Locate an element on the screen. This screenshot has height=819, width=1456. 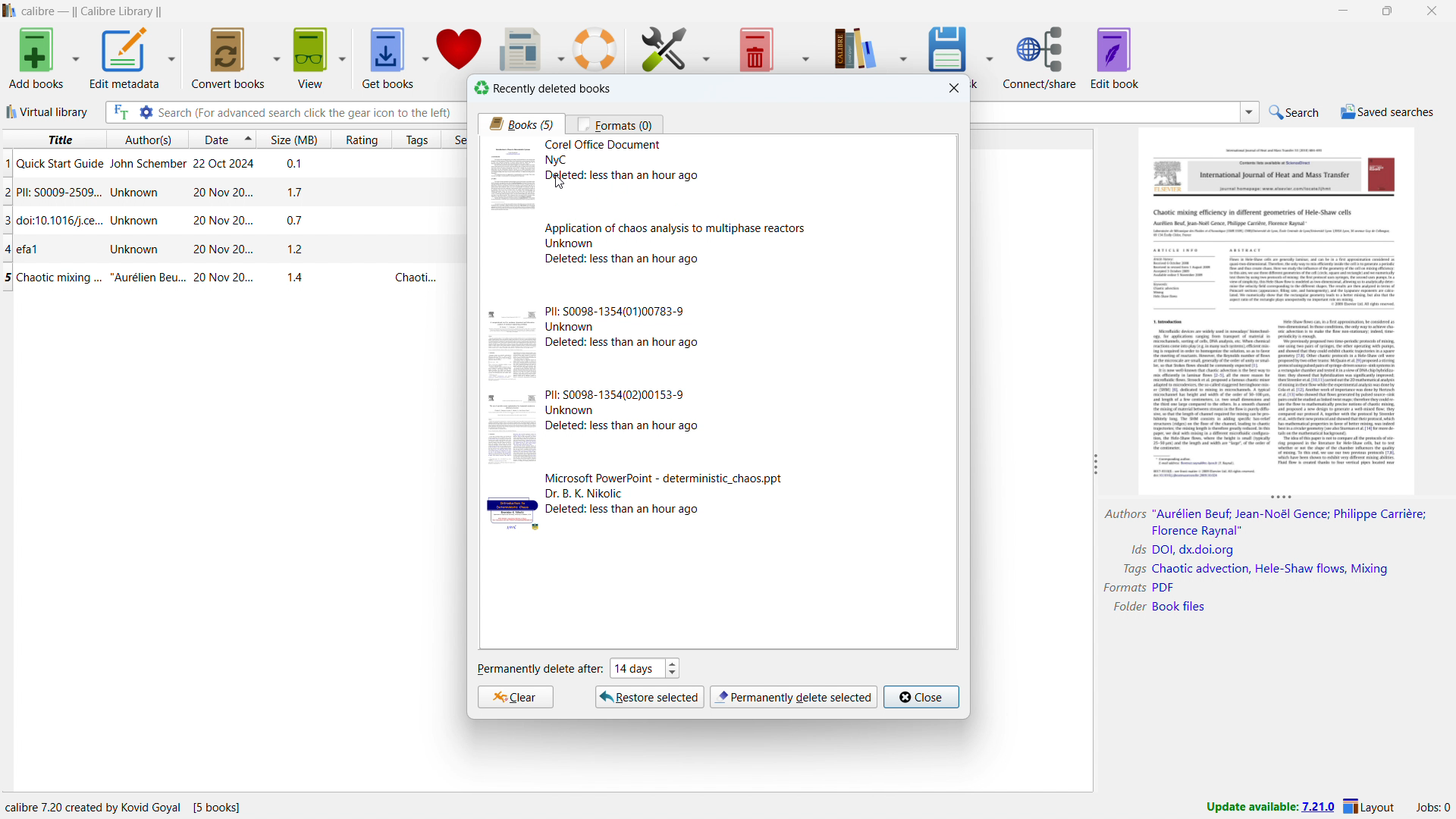
get books is located at coordinates (388, 58).